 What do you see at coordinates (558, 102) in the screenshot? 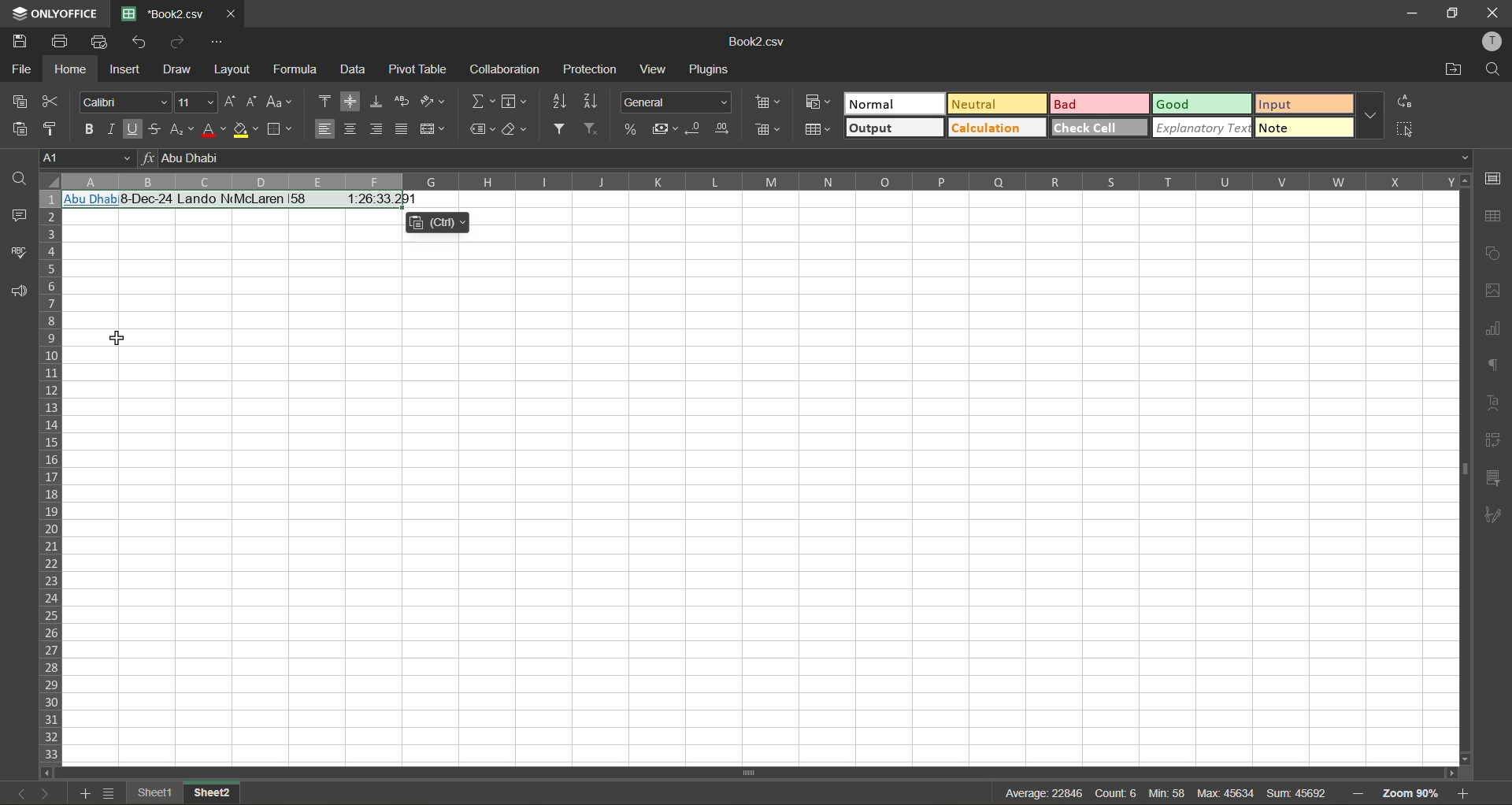
I see `sort ascending` at bounding box center [558, 102].